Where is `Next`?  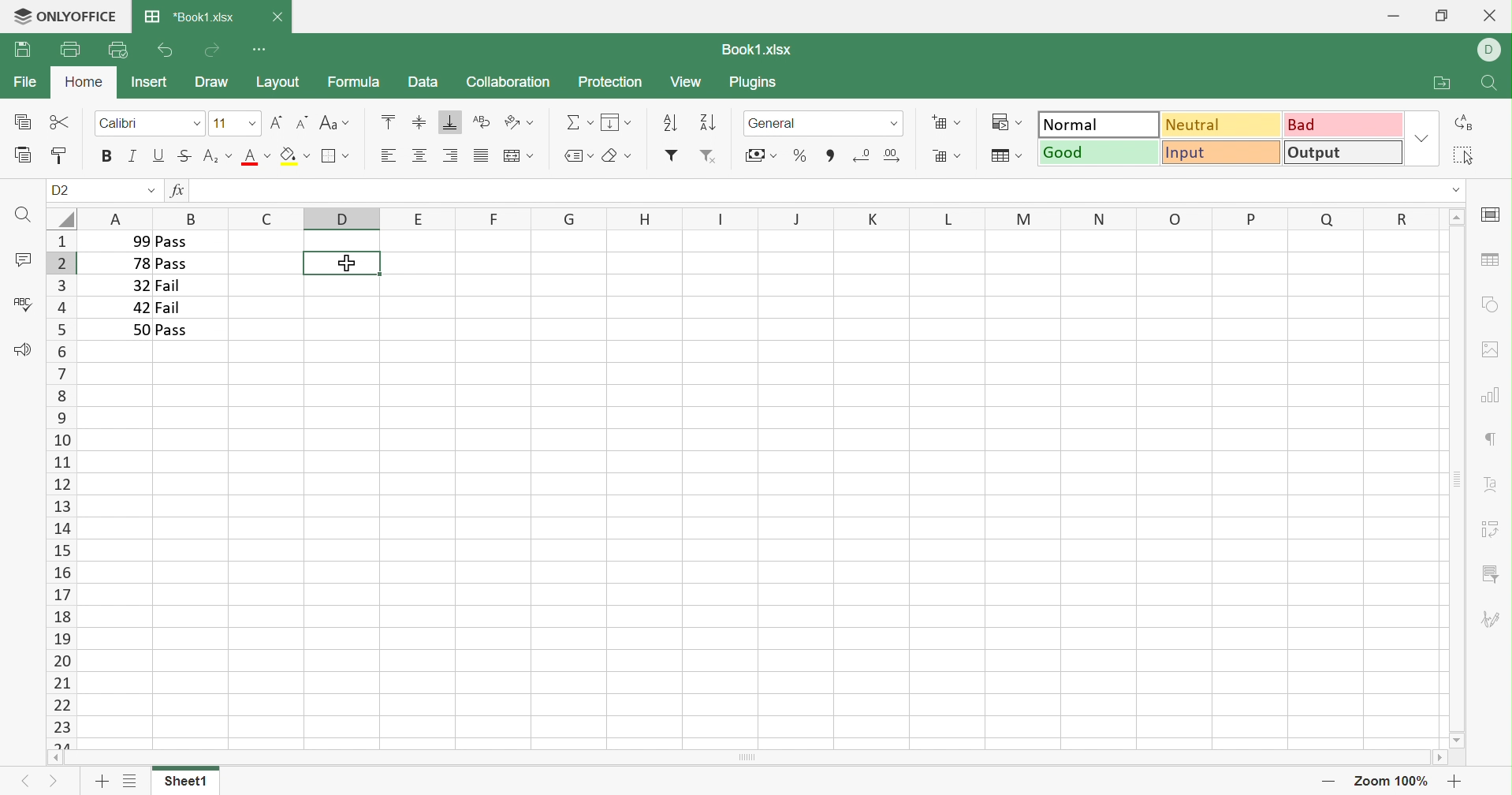
Next is located at coordinates (57, 785).